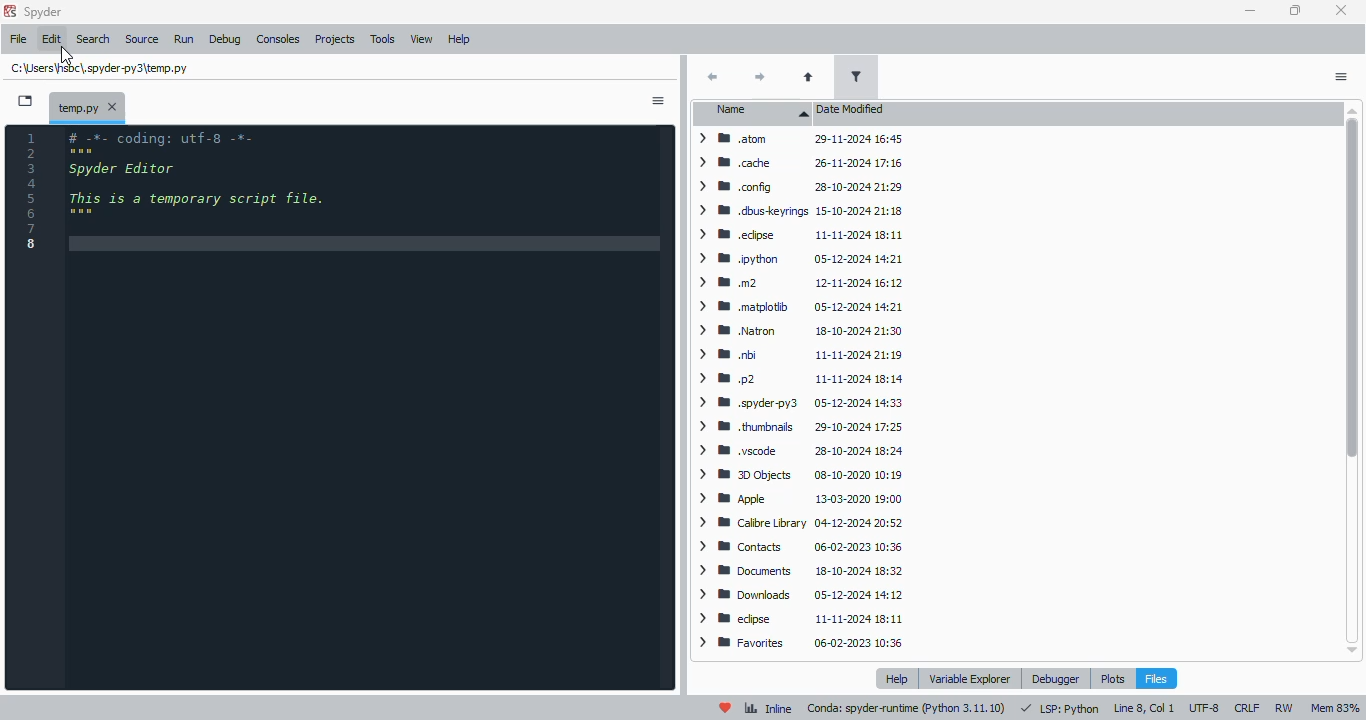  Describe the element at coordinates (112, 108) in the screenshot. I see `close` at that location.